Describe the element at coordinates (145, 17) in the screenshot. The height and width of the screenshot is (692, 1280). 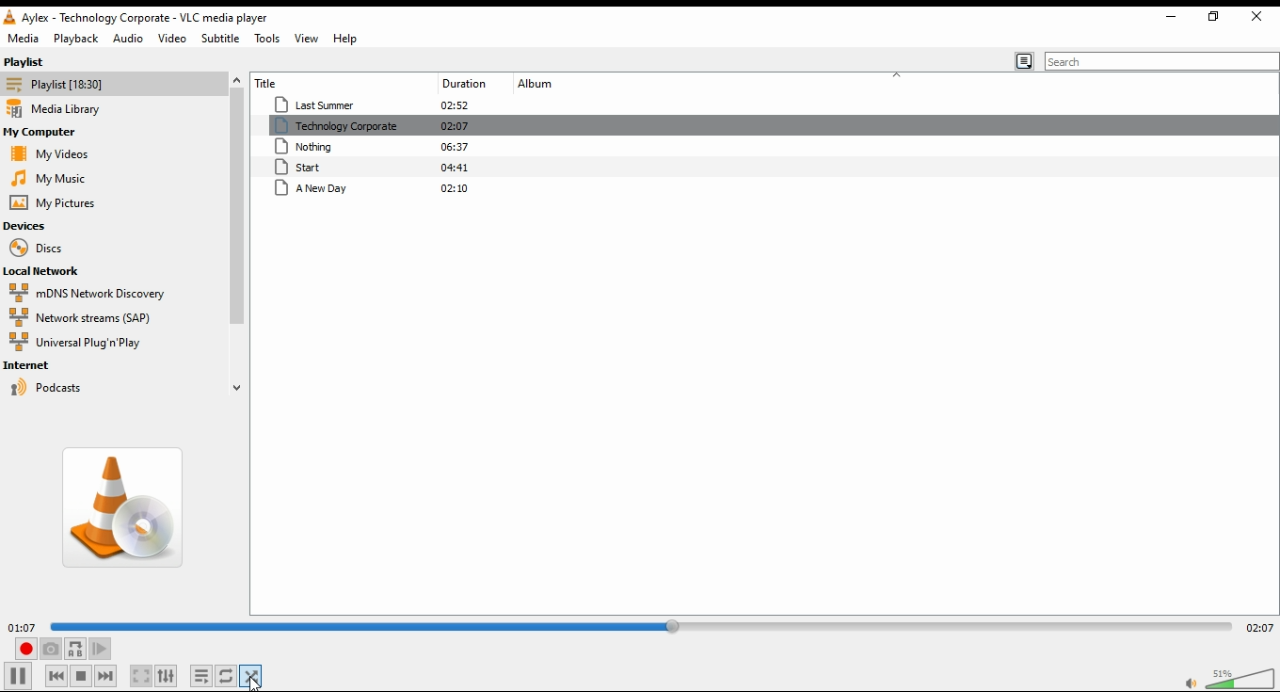
I see `Aylex-technology corporate-VLC media player` at that location.